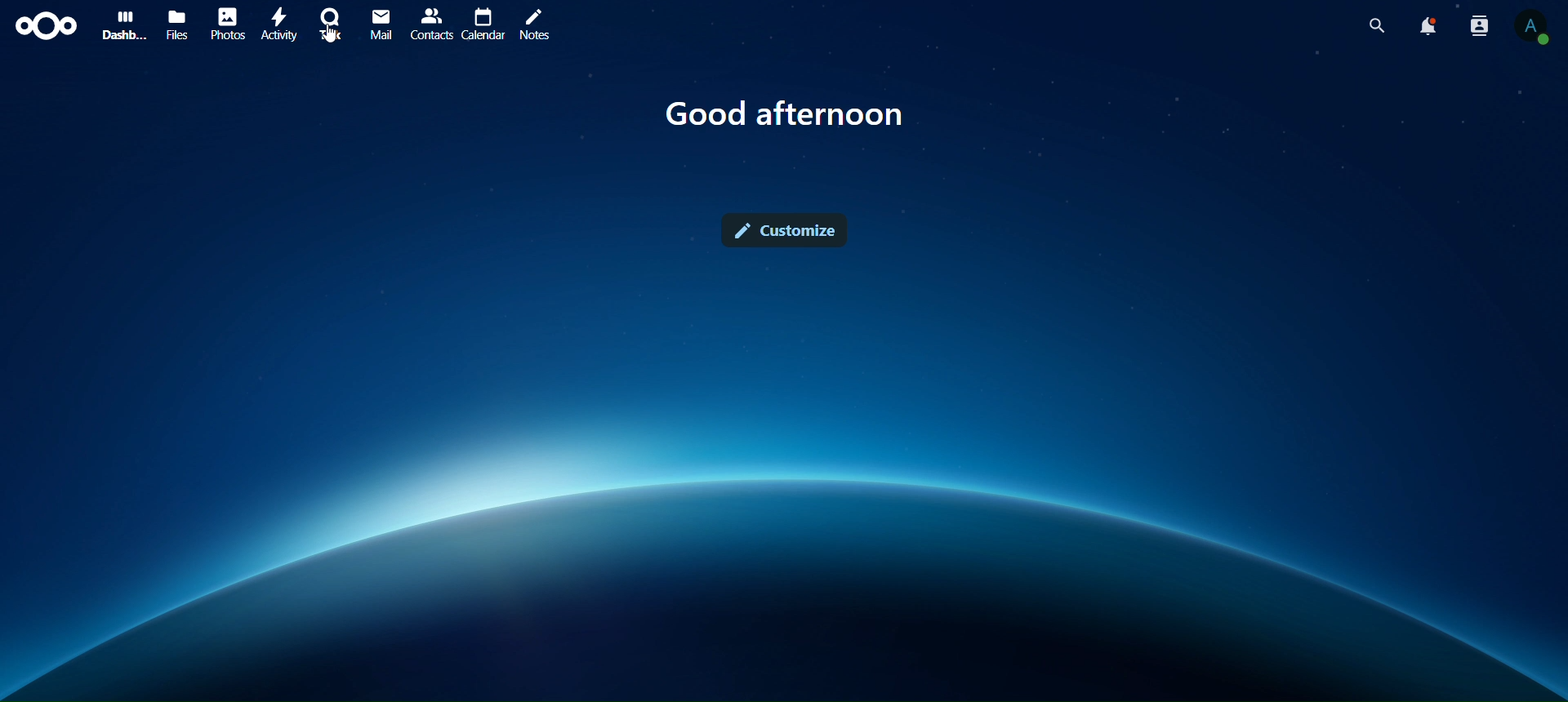 The height and width of the screenshot is (702, 1568). What do you see at coordinates (532, 26) in the screenshot?
I see `notes` at bounding box center [532, 26].